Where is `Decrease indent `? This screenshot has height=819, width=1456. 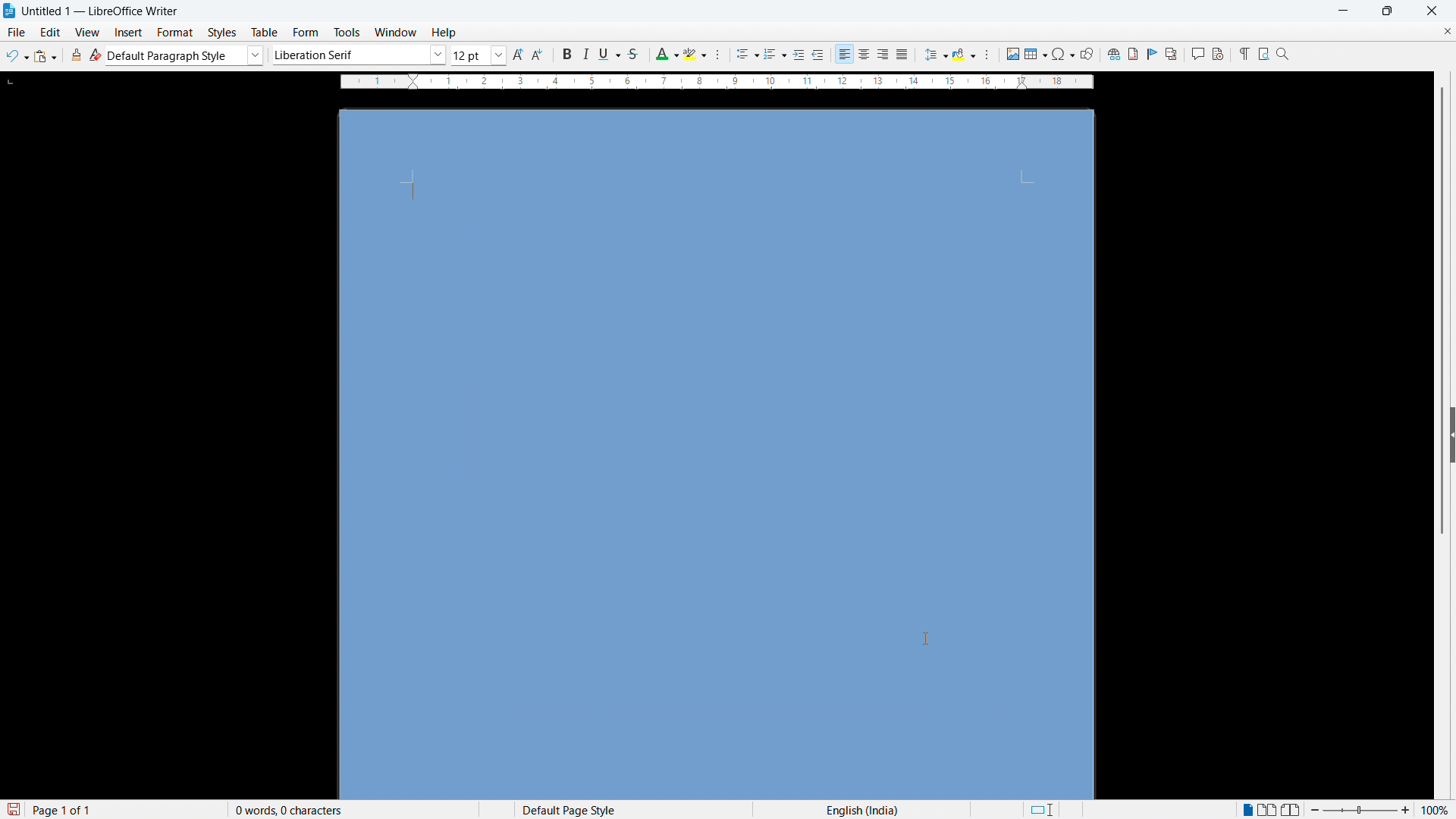
Decrease indent  is located at coordinates (819, 55).